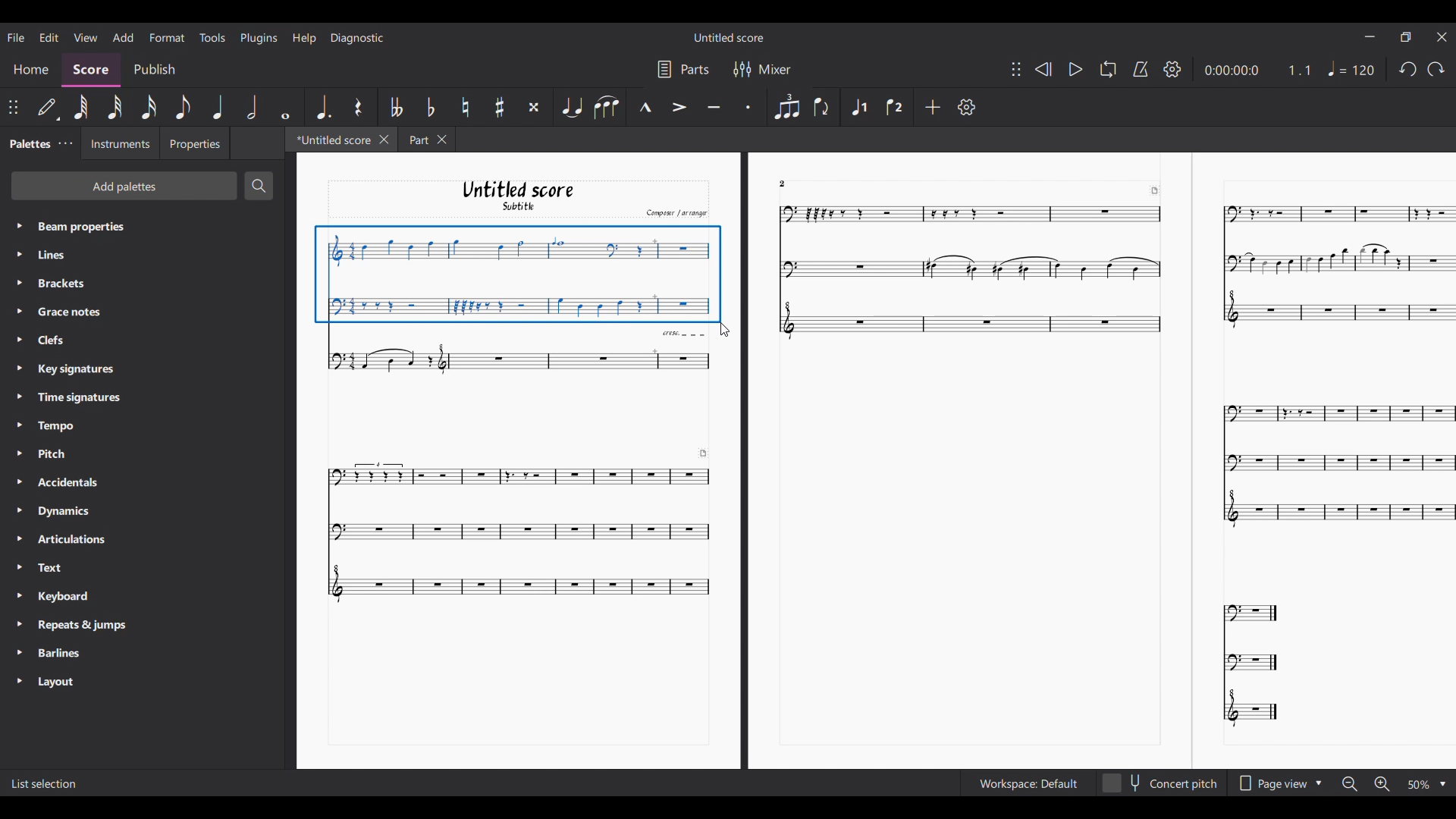  What do you see at coordinates (1269, 783) in the screenshot?
I see `Page view options` at bounding box center [1269, 783].